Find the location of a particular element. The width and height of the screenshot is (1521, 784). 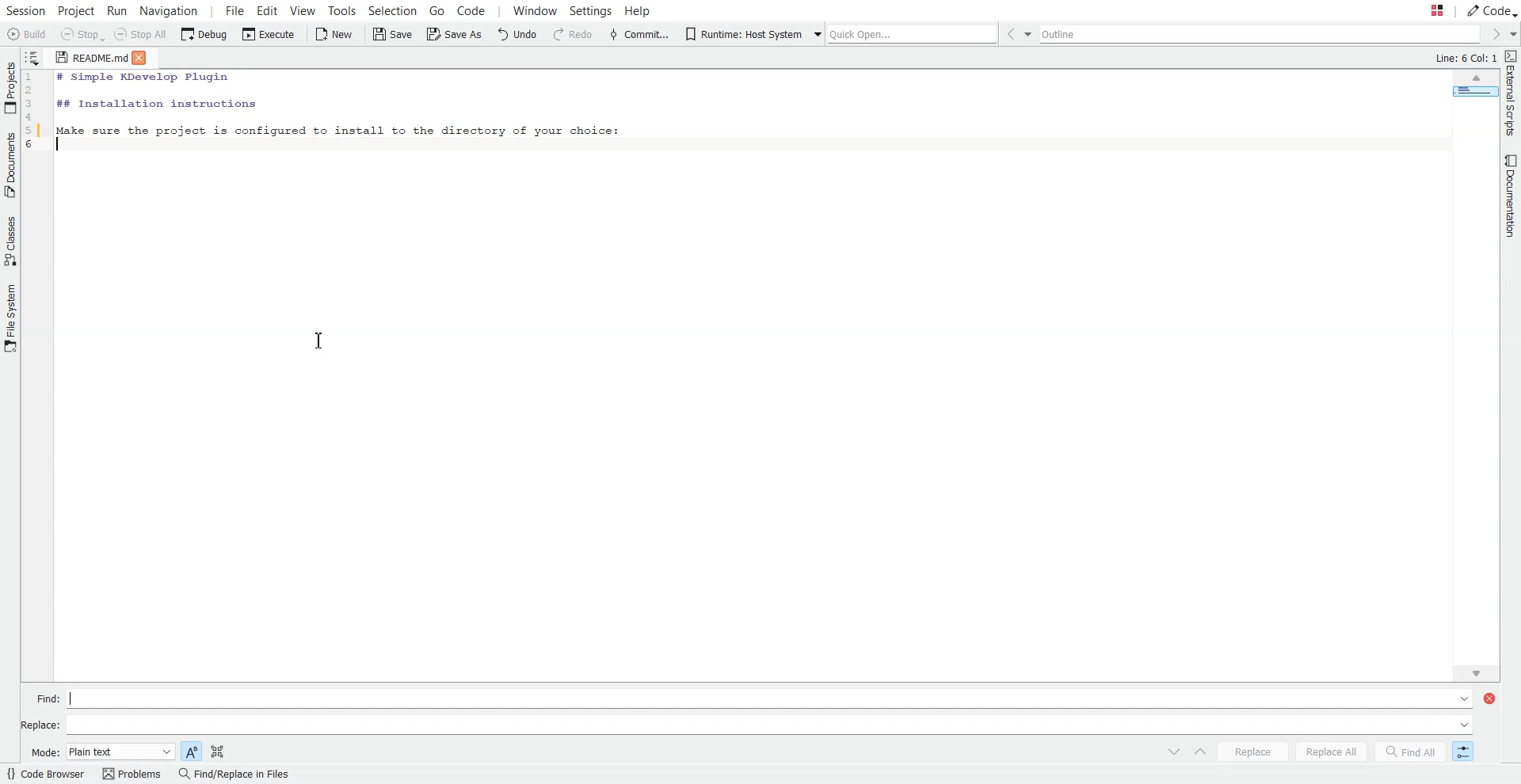

Edit is located at coordinates (268, 10).